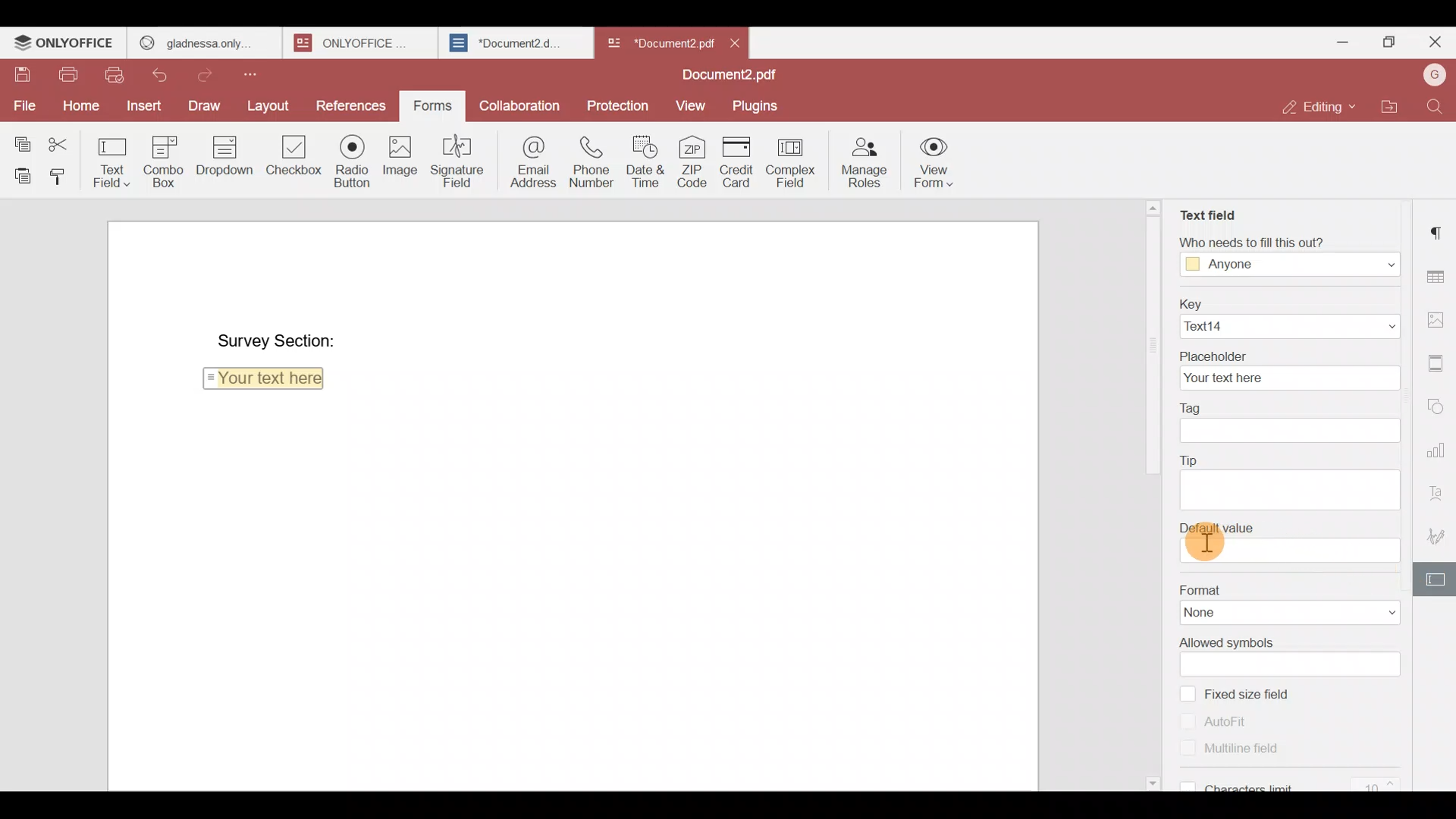 This screenshot has width=1456, height=819. What do you see at coordinates (351, 158) in the screenshot?
I see `Radio` at bounding box center [351, 158].